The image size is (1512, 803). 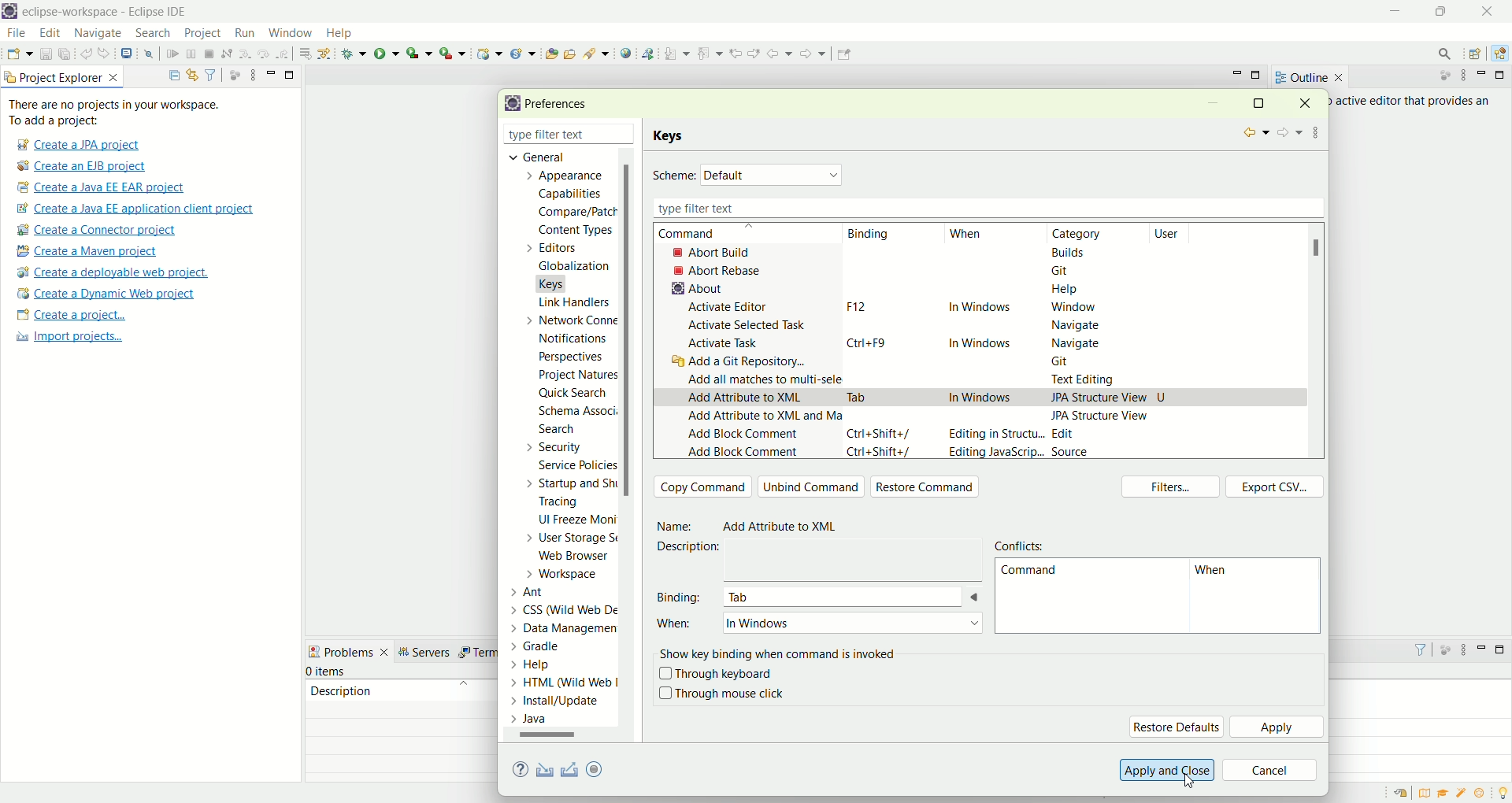 What do you see at coordinates (565, 683) in the screenshot?
I see `> HTML (Wild Web |` at bounding box center [565, 683].